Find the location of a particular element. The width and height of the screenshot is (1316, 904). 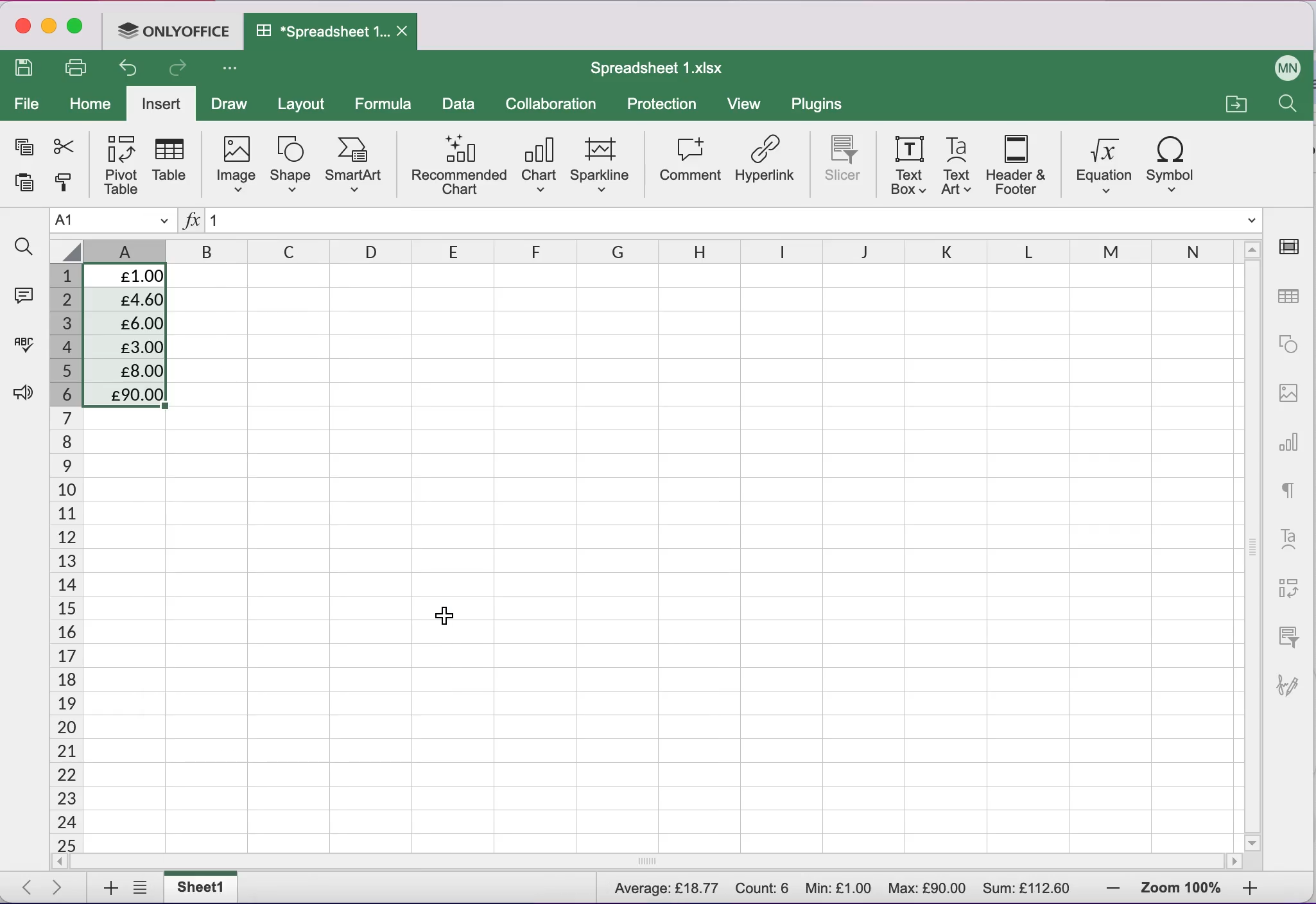

cell settings is located at coordinates (1292, 248).